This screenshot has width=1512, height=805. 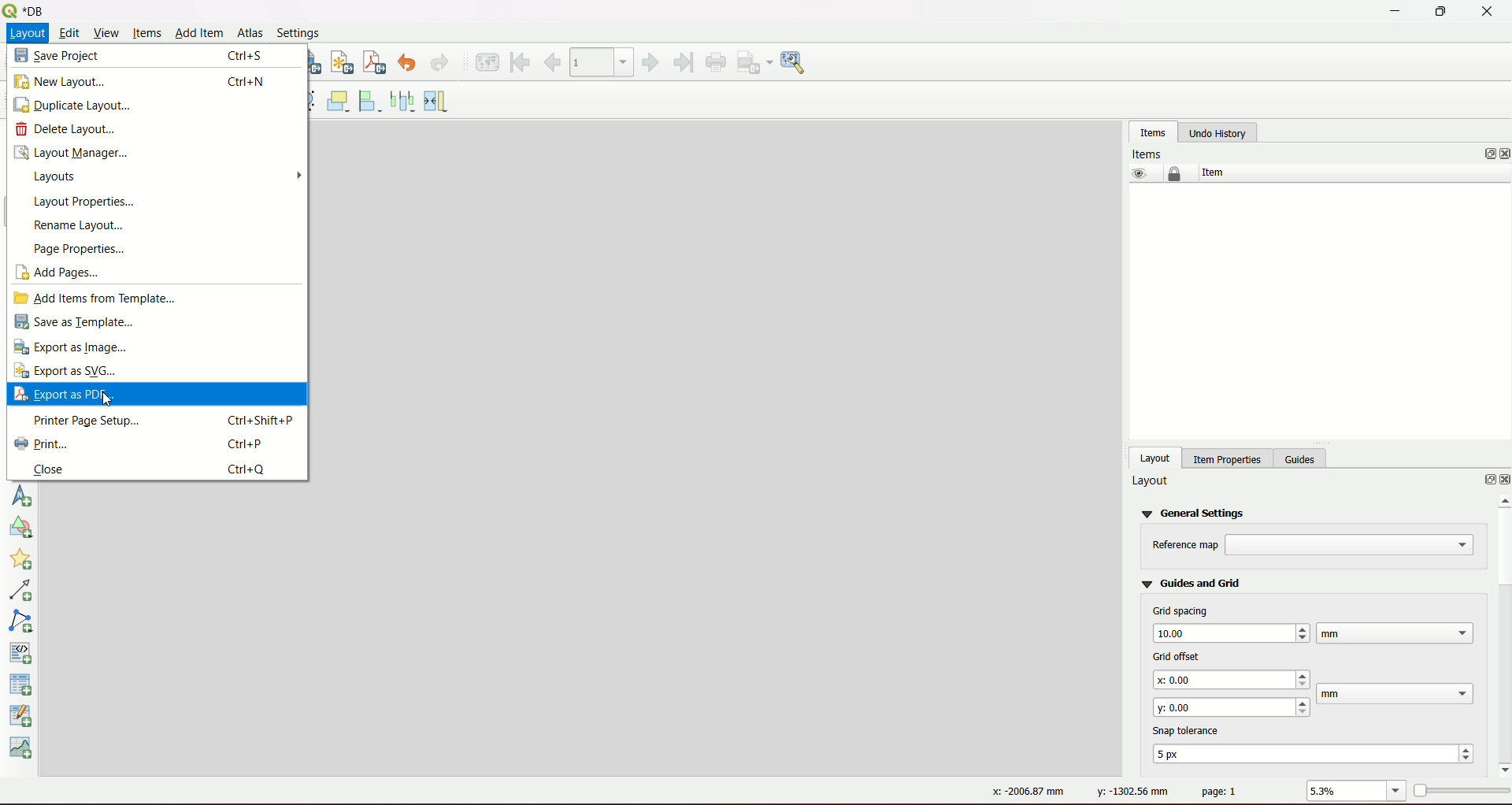 I want to click on text box, so click(x=1351, y=545).